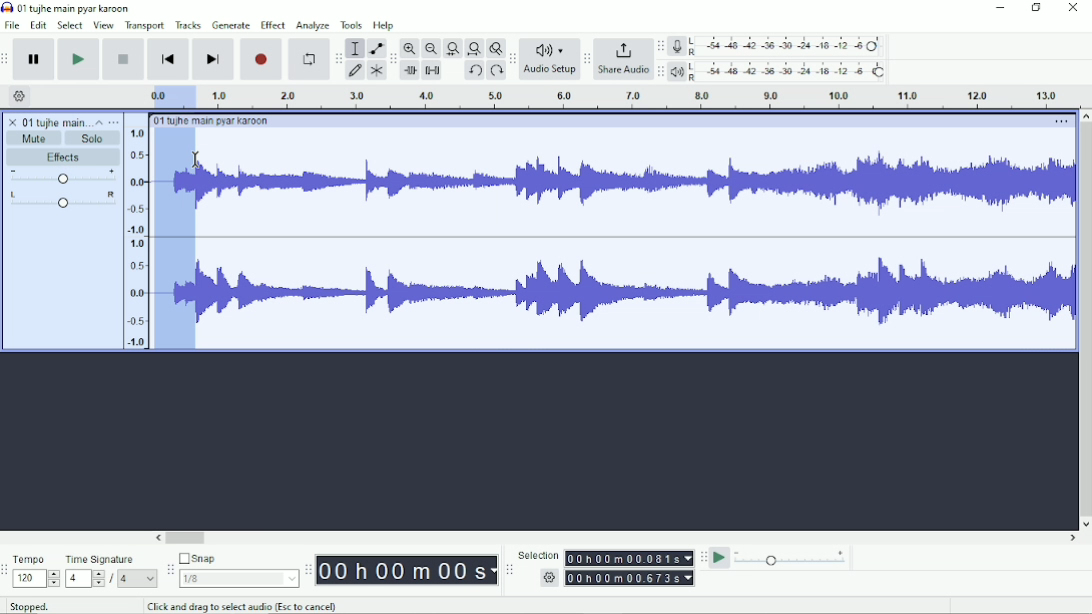 This screenshot has height=614, width=1092. I want to click on Stopped, so click(43, 604).